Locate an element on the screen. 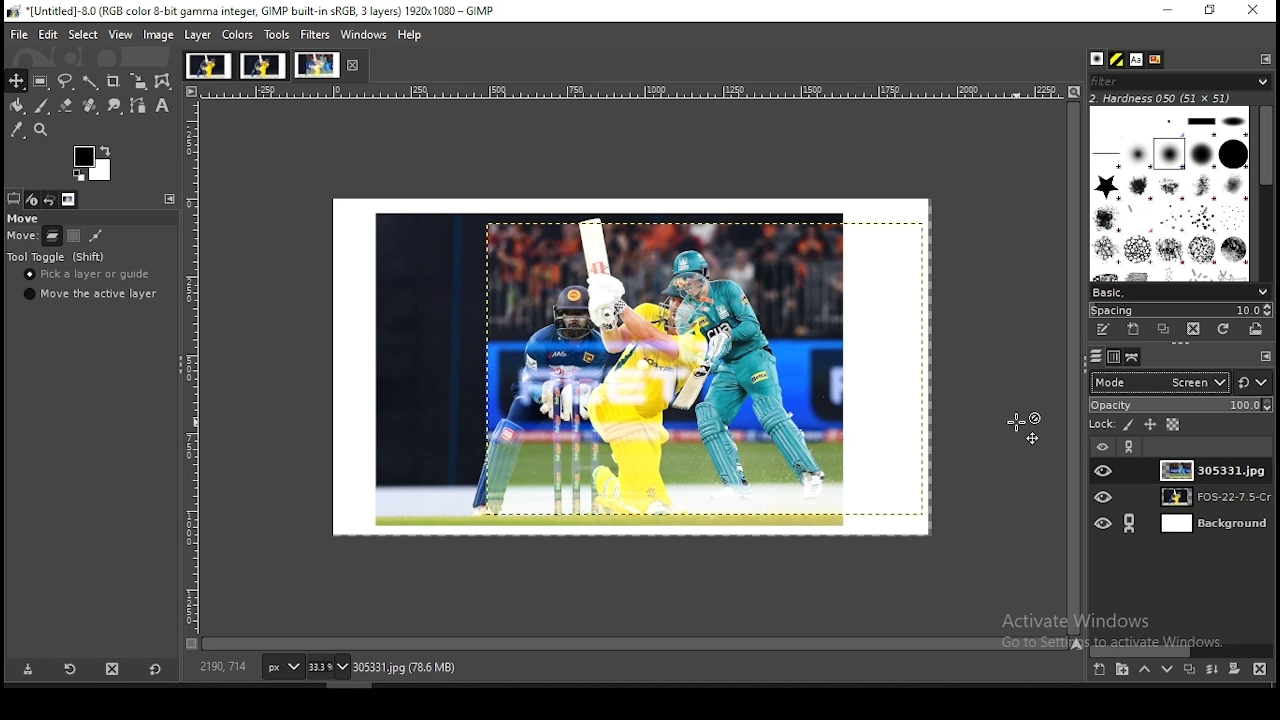 Image resolution: width=1280 pixels, height=720 pixels. scroll bar is located at coordinates (1266, 192).